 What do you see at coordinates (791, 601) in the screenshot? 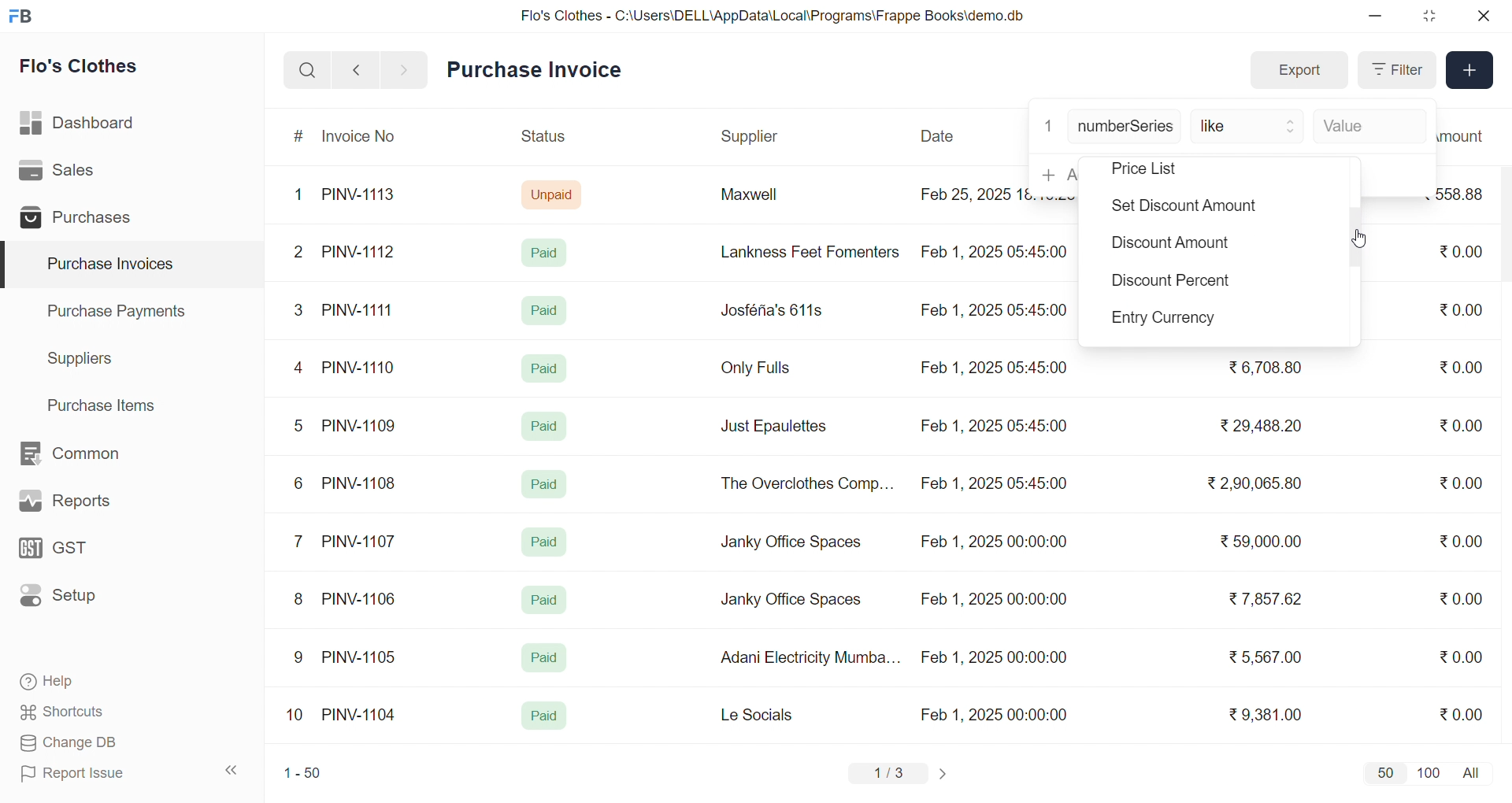
I see `Janky Office Spaces` at bounding box center [791, 601].